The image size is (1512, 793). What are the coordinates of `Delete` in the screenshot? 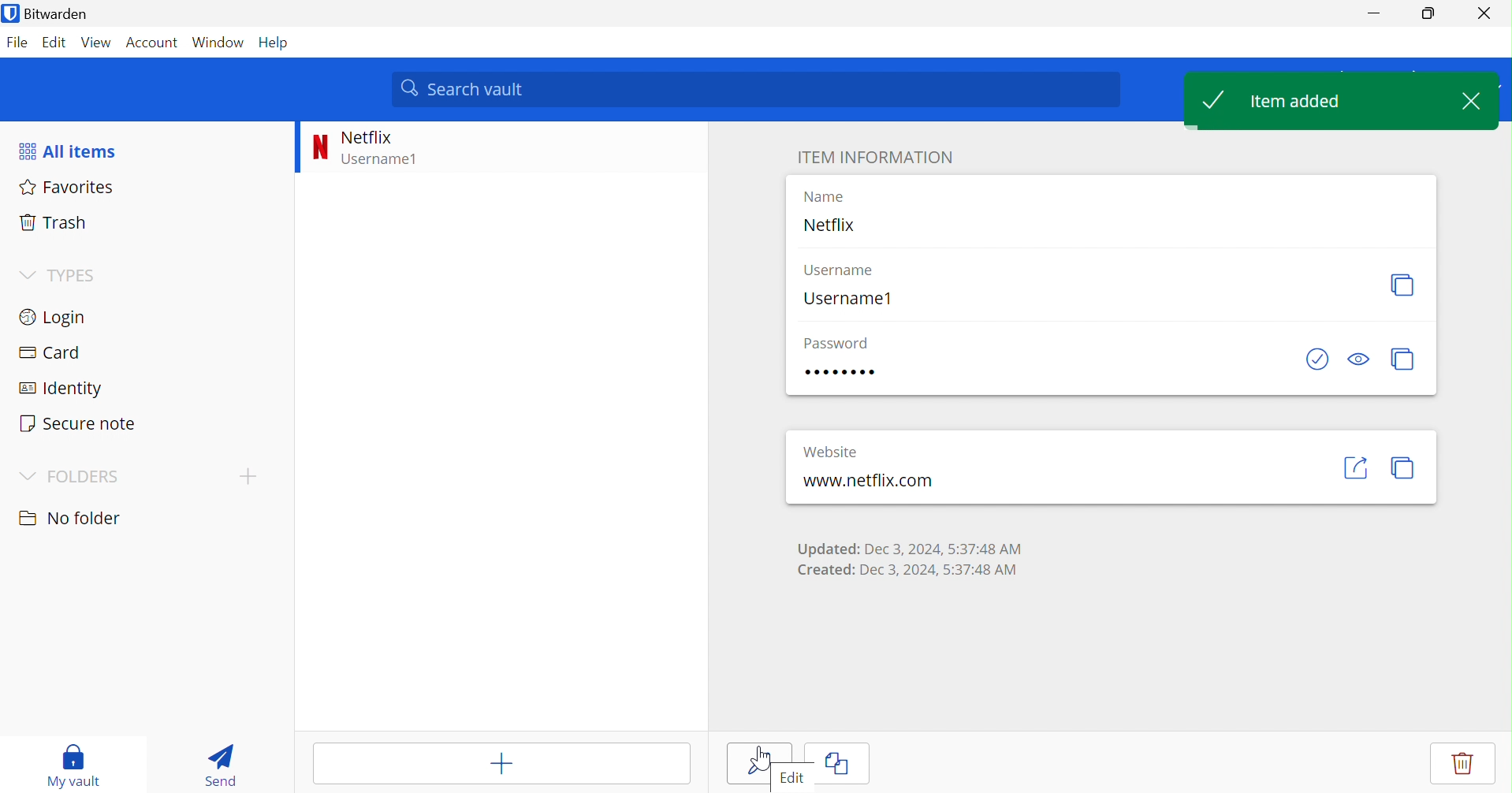 It's located at (1465, 763).